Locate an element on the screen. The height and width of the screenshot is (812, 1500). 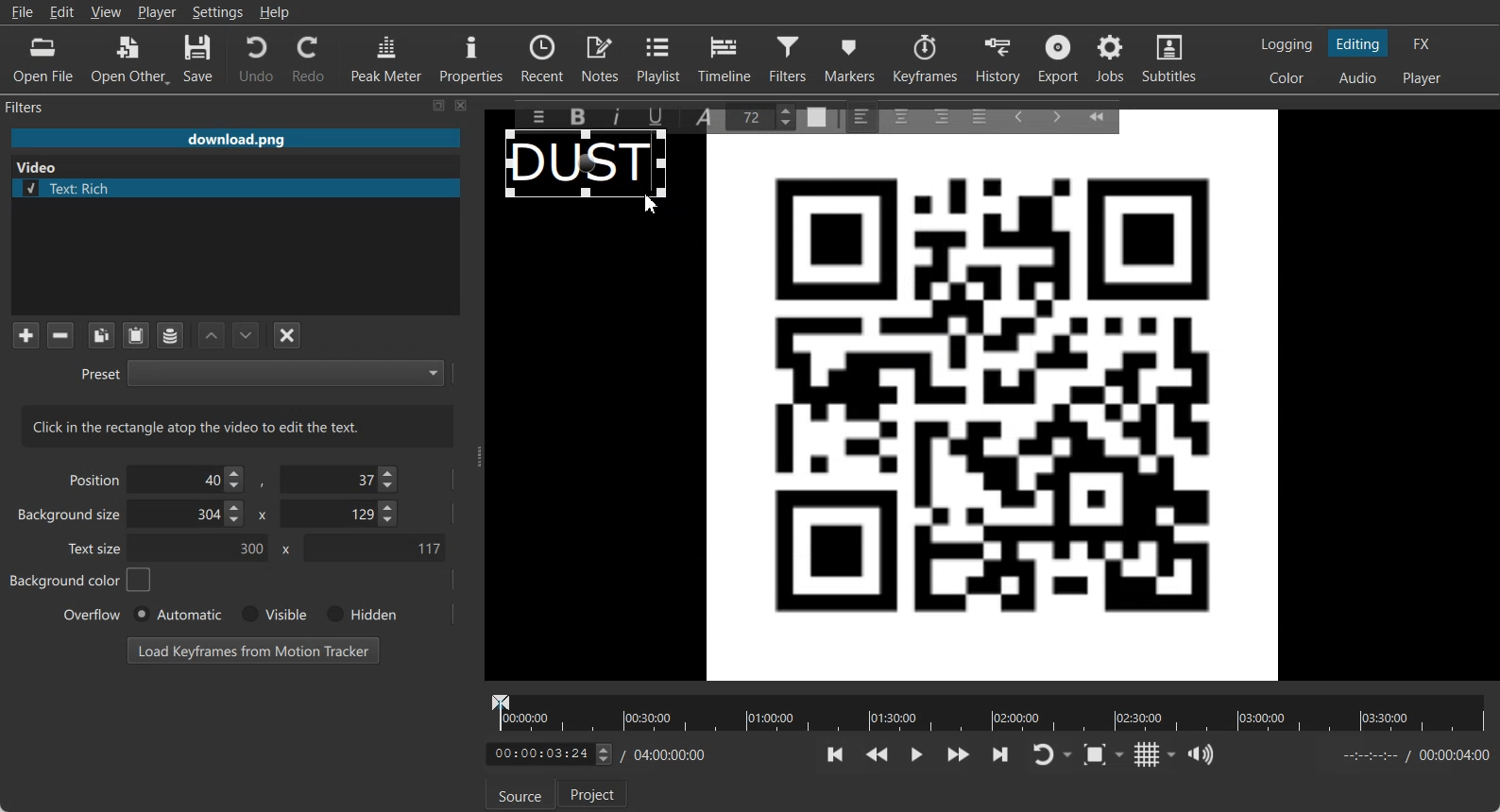
Switching to the logging layout is located at coordinates (1287, 44).